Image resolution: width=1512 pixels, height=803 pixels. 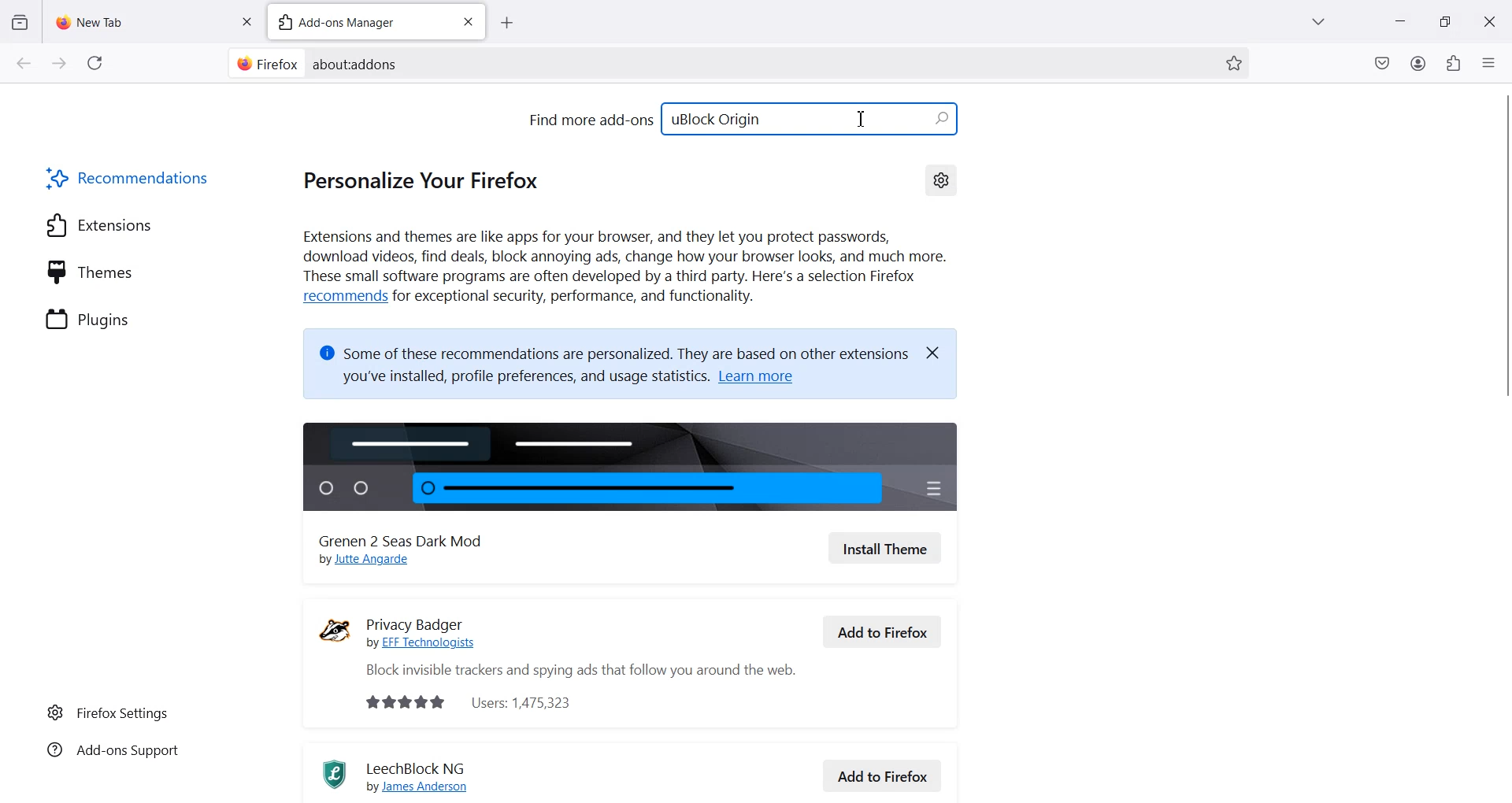 I want to click on Users: 1,475,323, so click(x=530, y=701).